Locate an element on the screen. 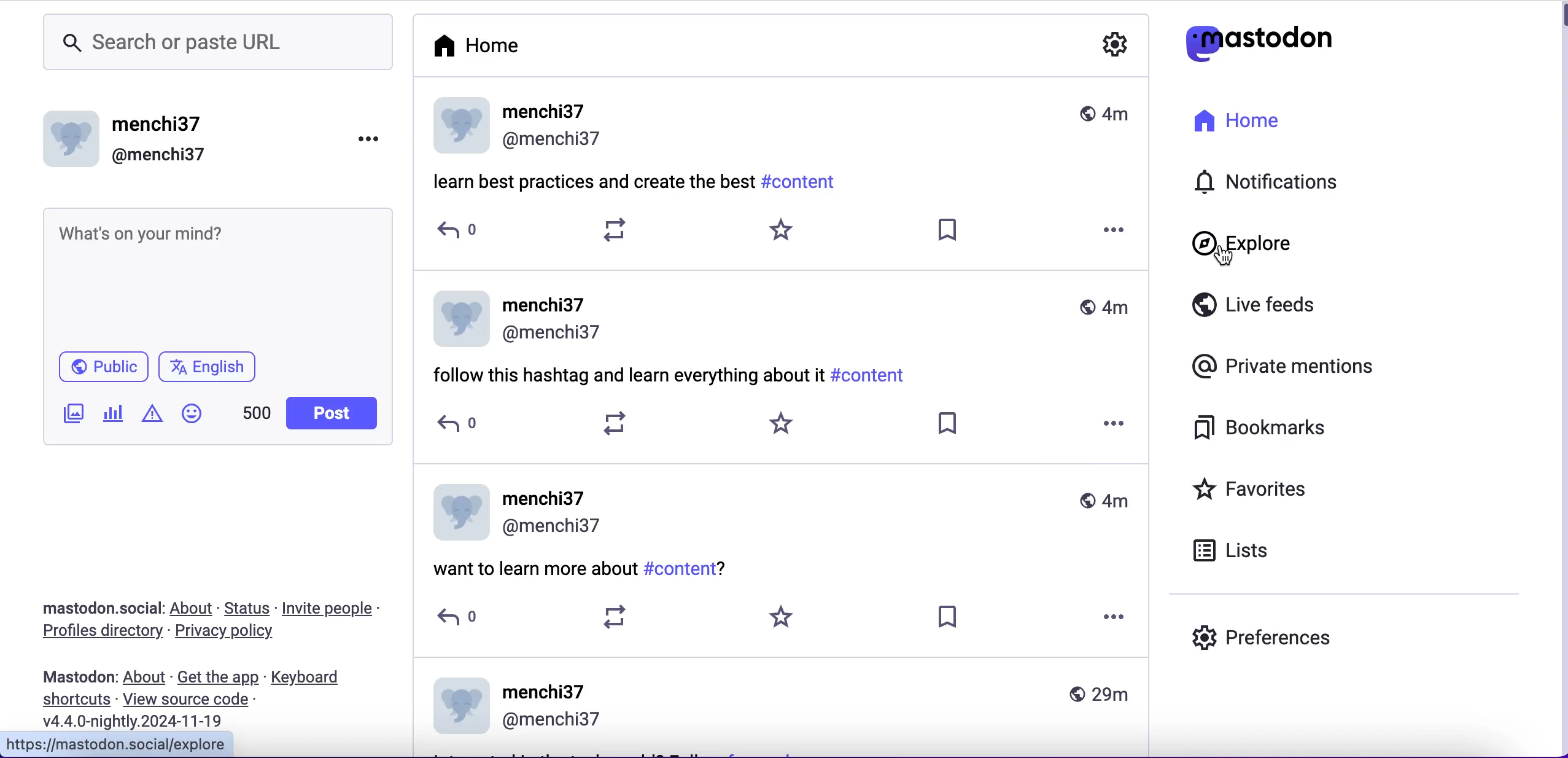 This screenshot has width=1568, height=758. configuration is located at coordinates (1116, 45).